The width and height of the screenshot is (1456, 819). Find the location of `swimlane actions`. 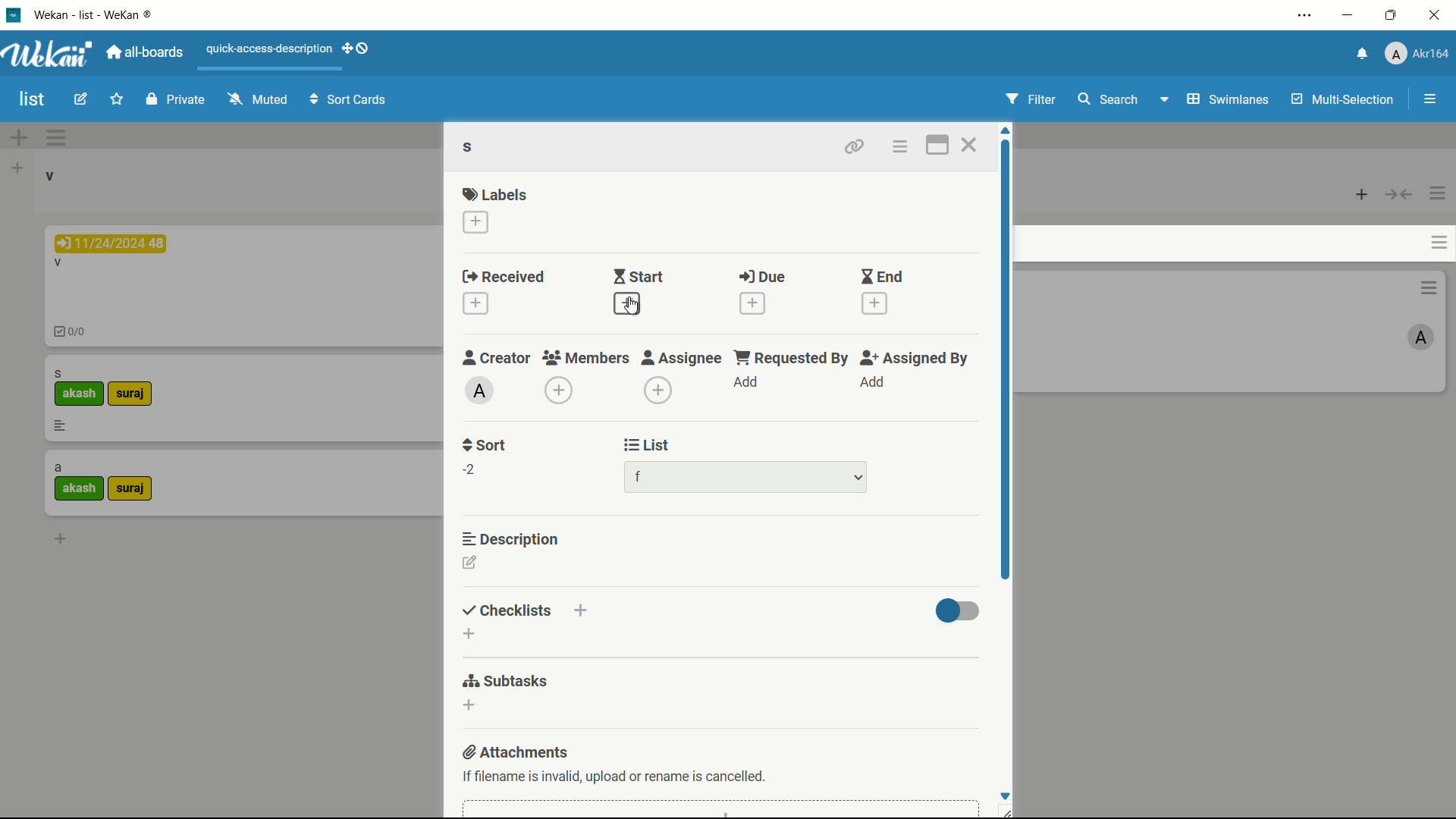

swimlane actions is located at coordinates (56, 138).